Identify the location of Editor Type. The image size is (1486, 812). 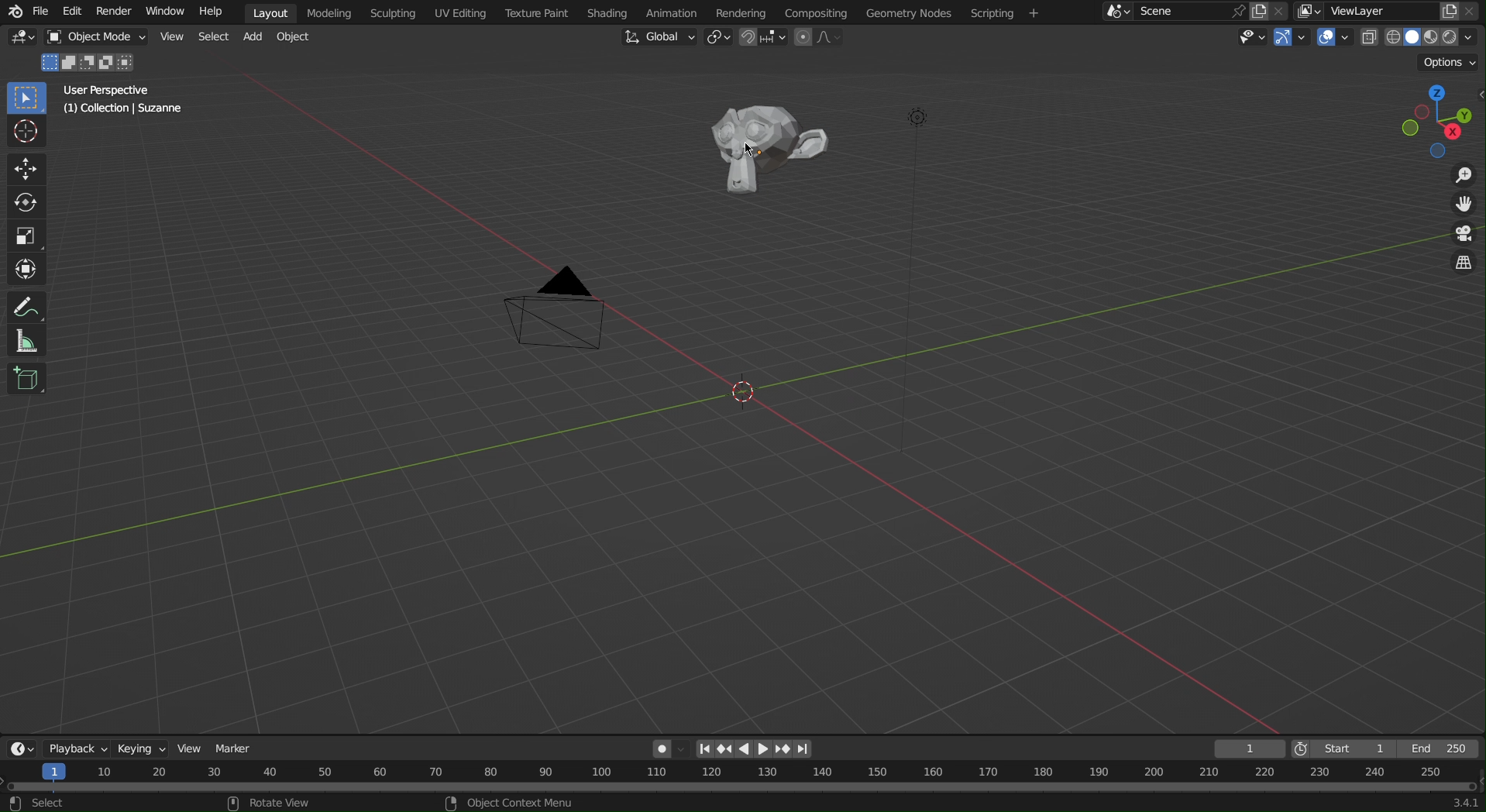
(22, 750).